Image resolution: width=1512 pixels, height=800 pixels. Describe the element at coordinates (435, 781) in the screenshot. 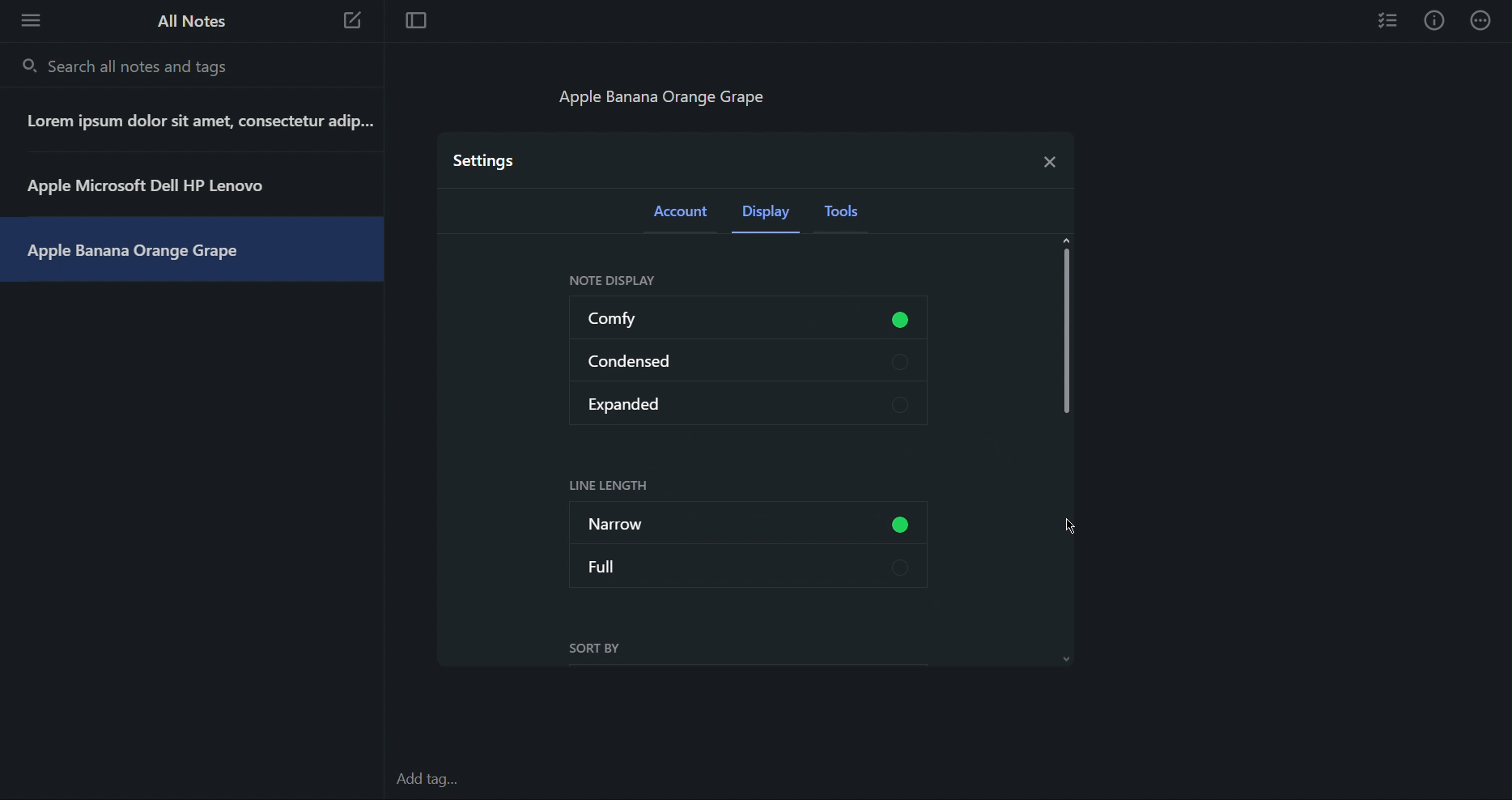

I see `Add tag` at that location.